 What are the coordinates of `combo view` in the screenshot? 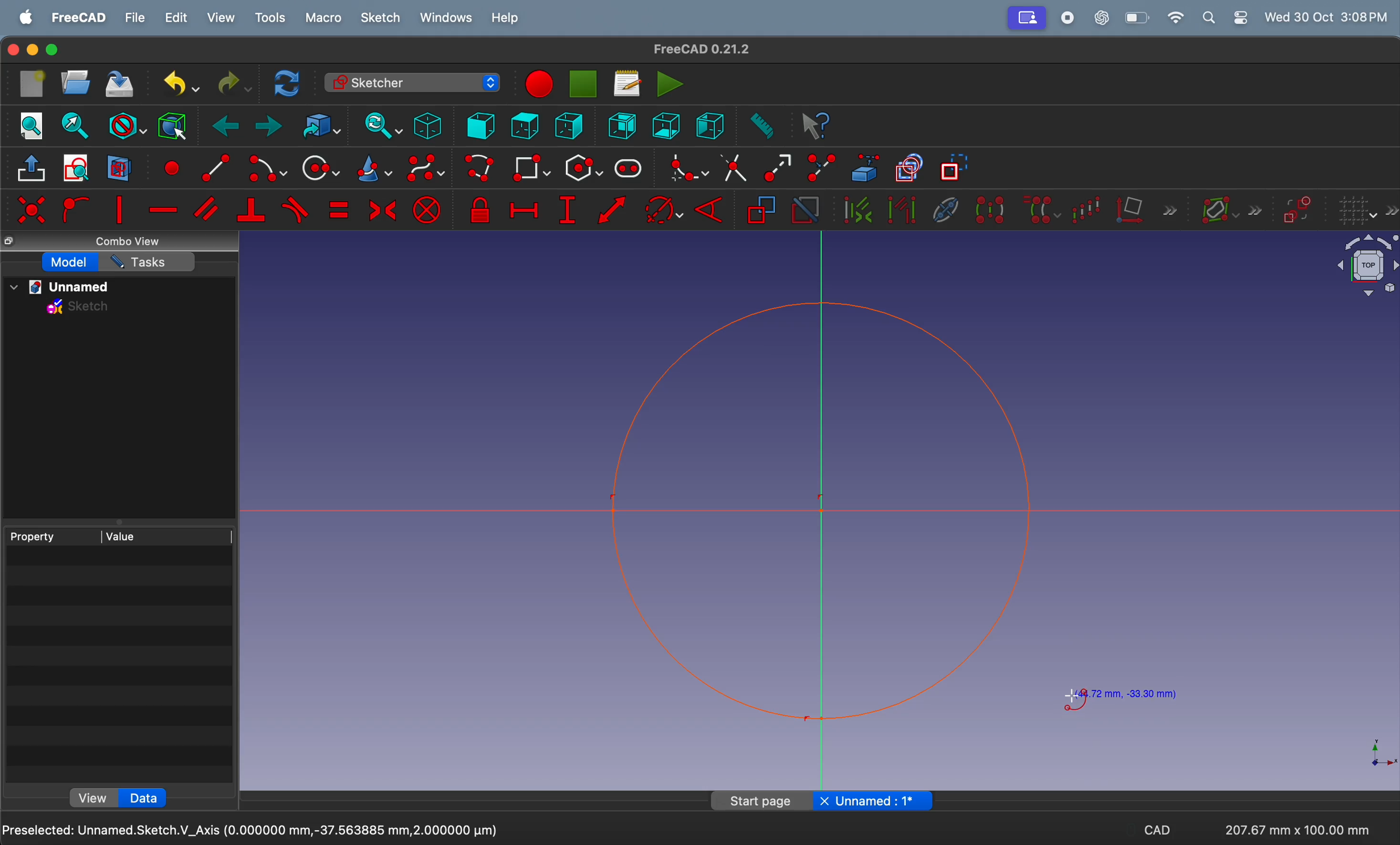 It's located at (132, 242).